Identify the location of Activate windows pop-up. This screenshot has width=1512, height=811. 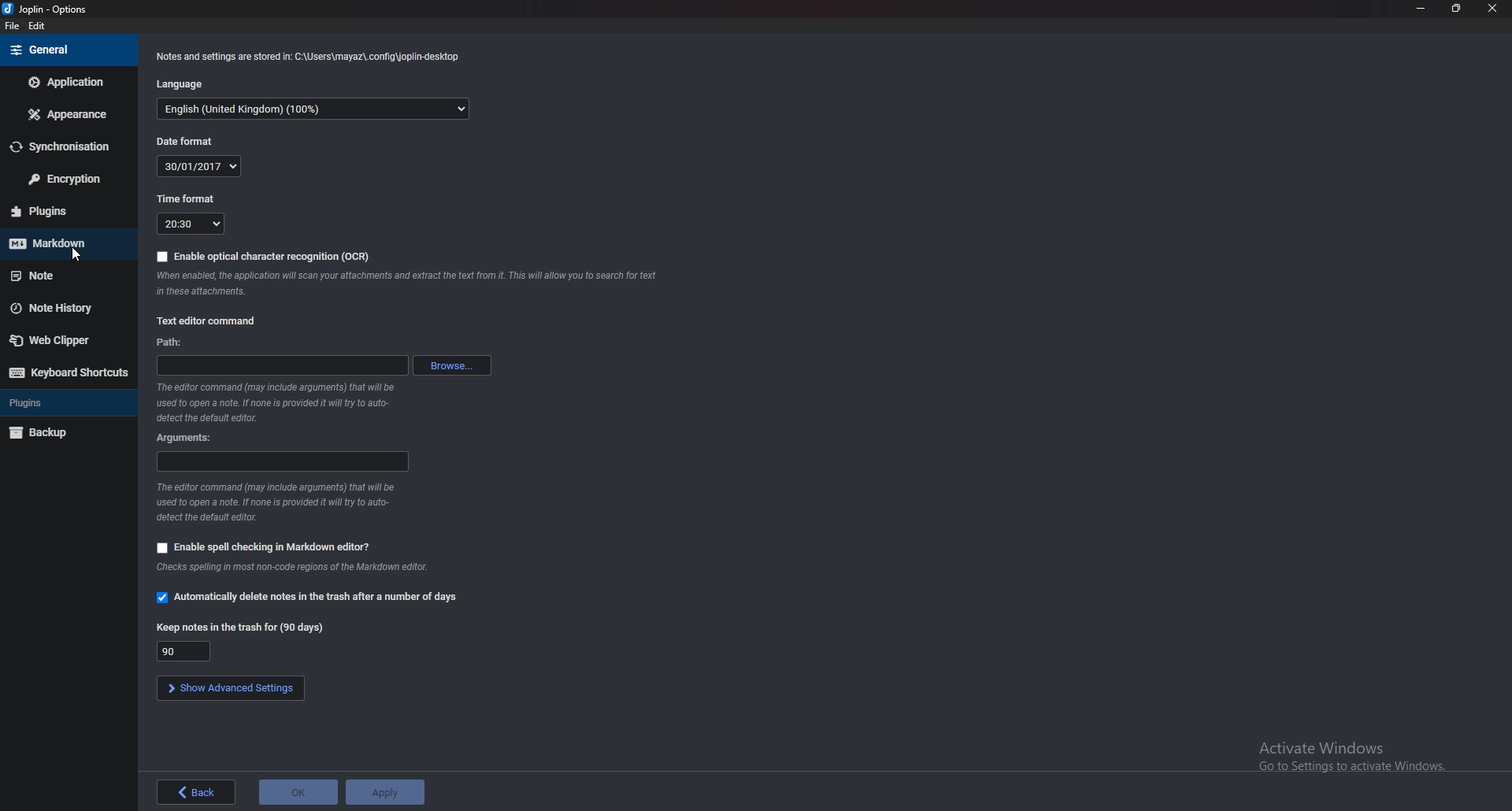
(1358, 760).